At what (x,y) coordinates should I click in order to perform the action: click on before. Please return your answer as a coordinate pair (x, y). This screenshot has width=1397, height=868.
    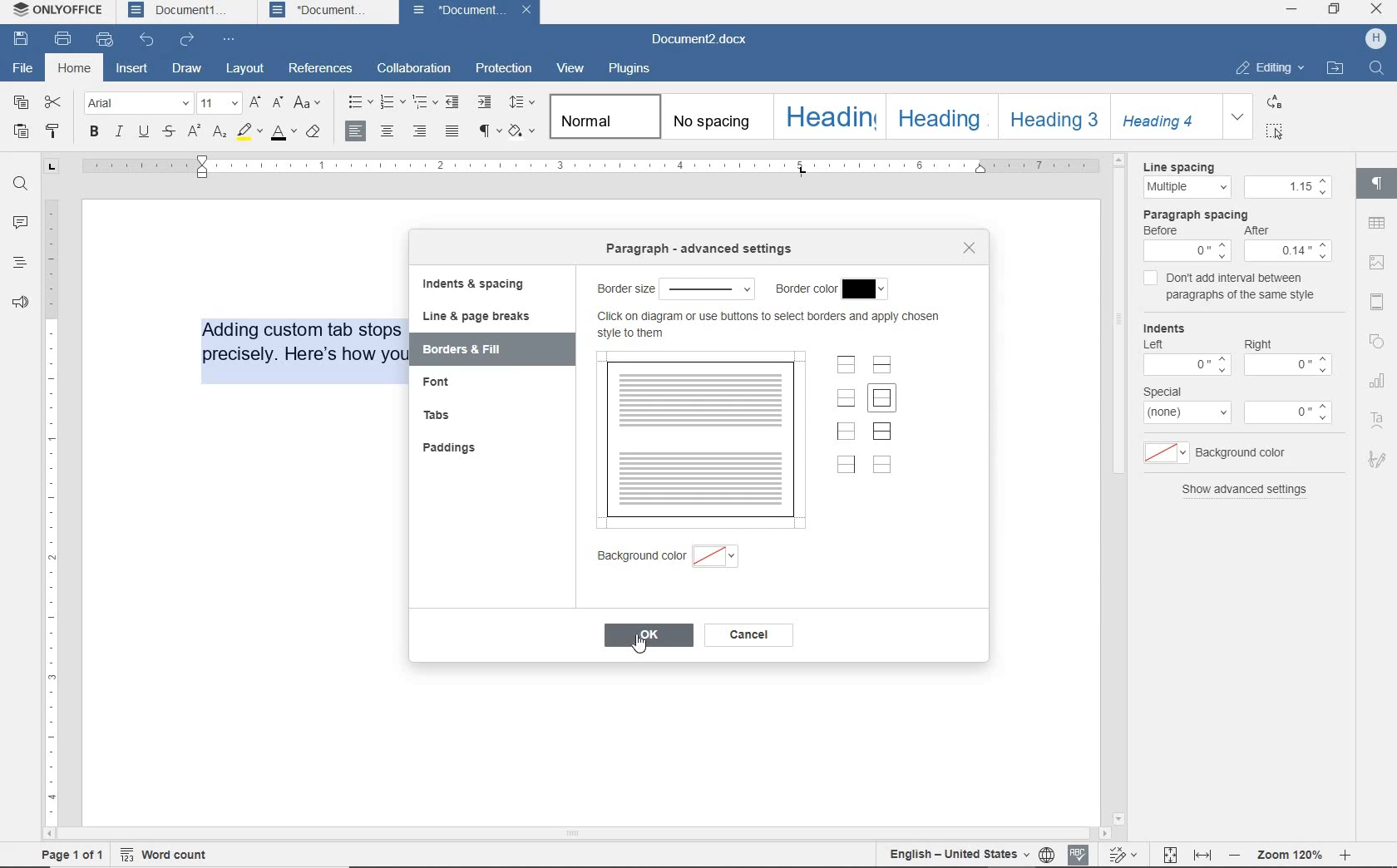
    Looking at the image, I should click on (1167, 230).